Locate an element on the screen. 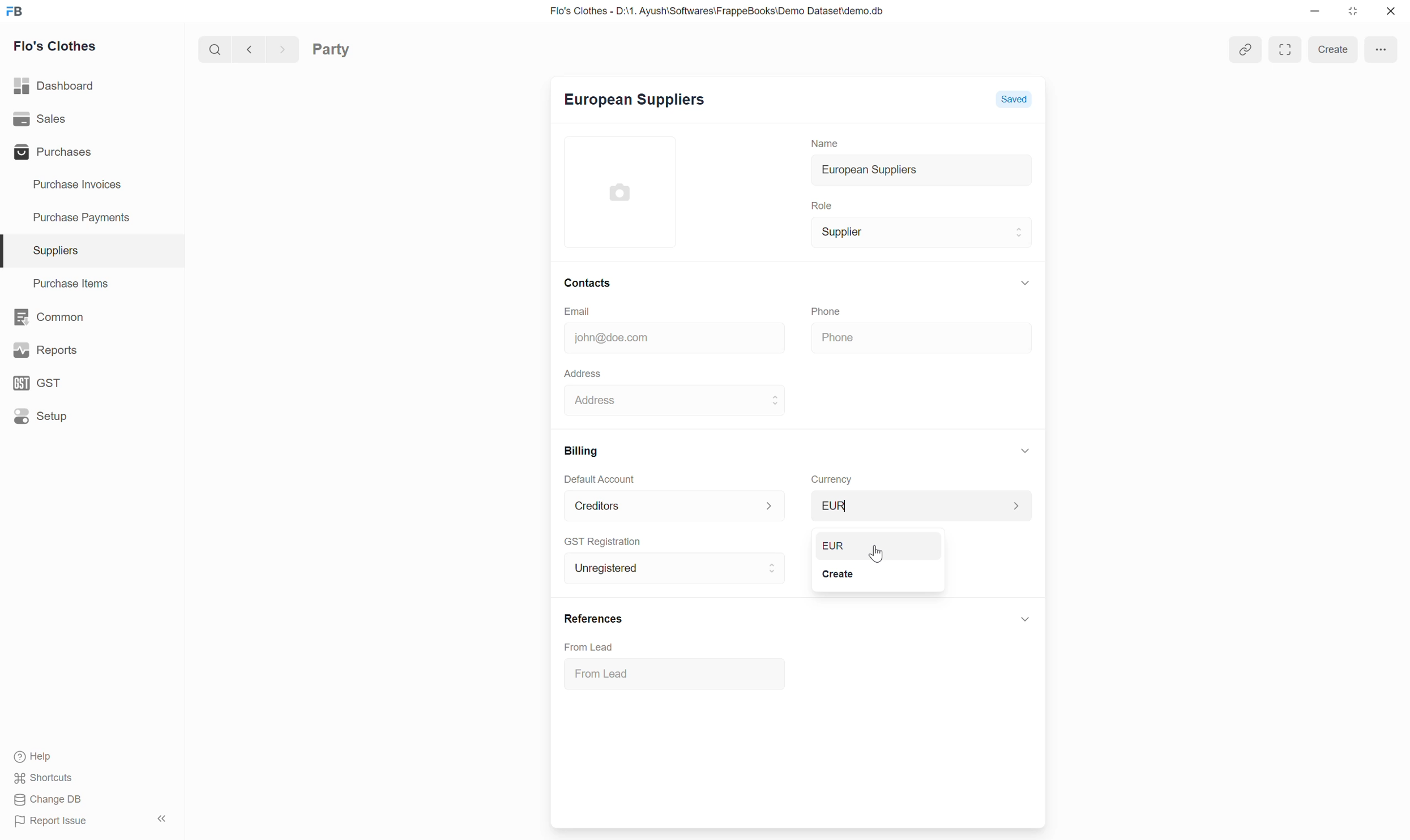 The height and width of the screenshot is (840, 1410). flo's clothes is located at coordinates (56, 46).